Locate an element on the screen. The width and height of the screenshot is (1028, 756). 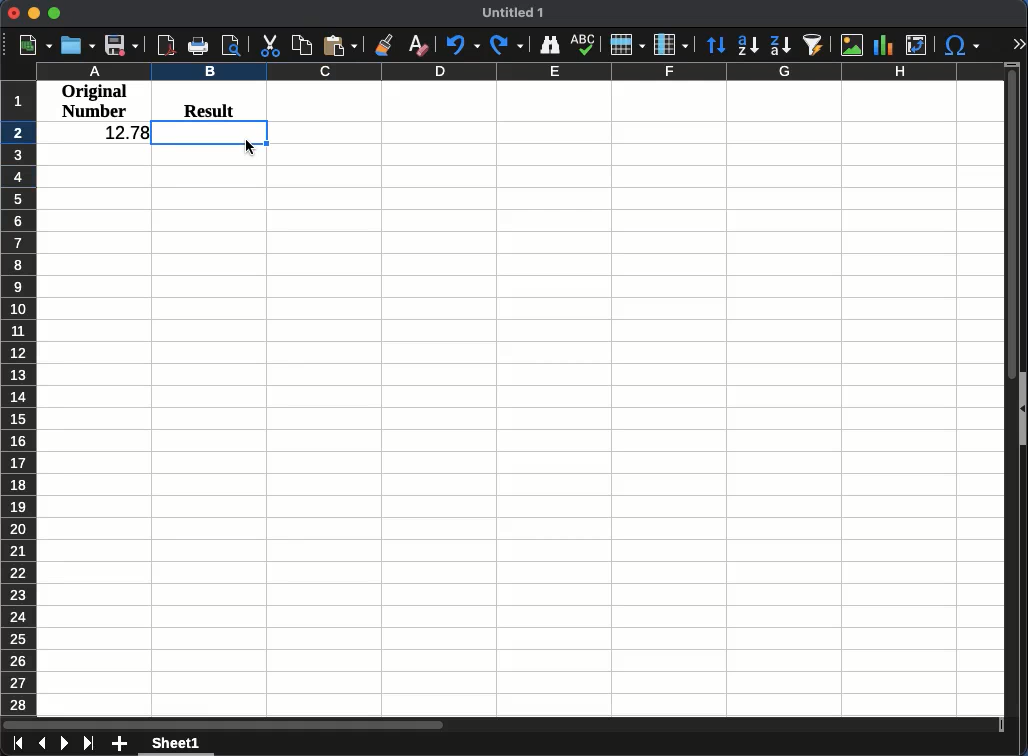
image is located at coordinates (852, 47).